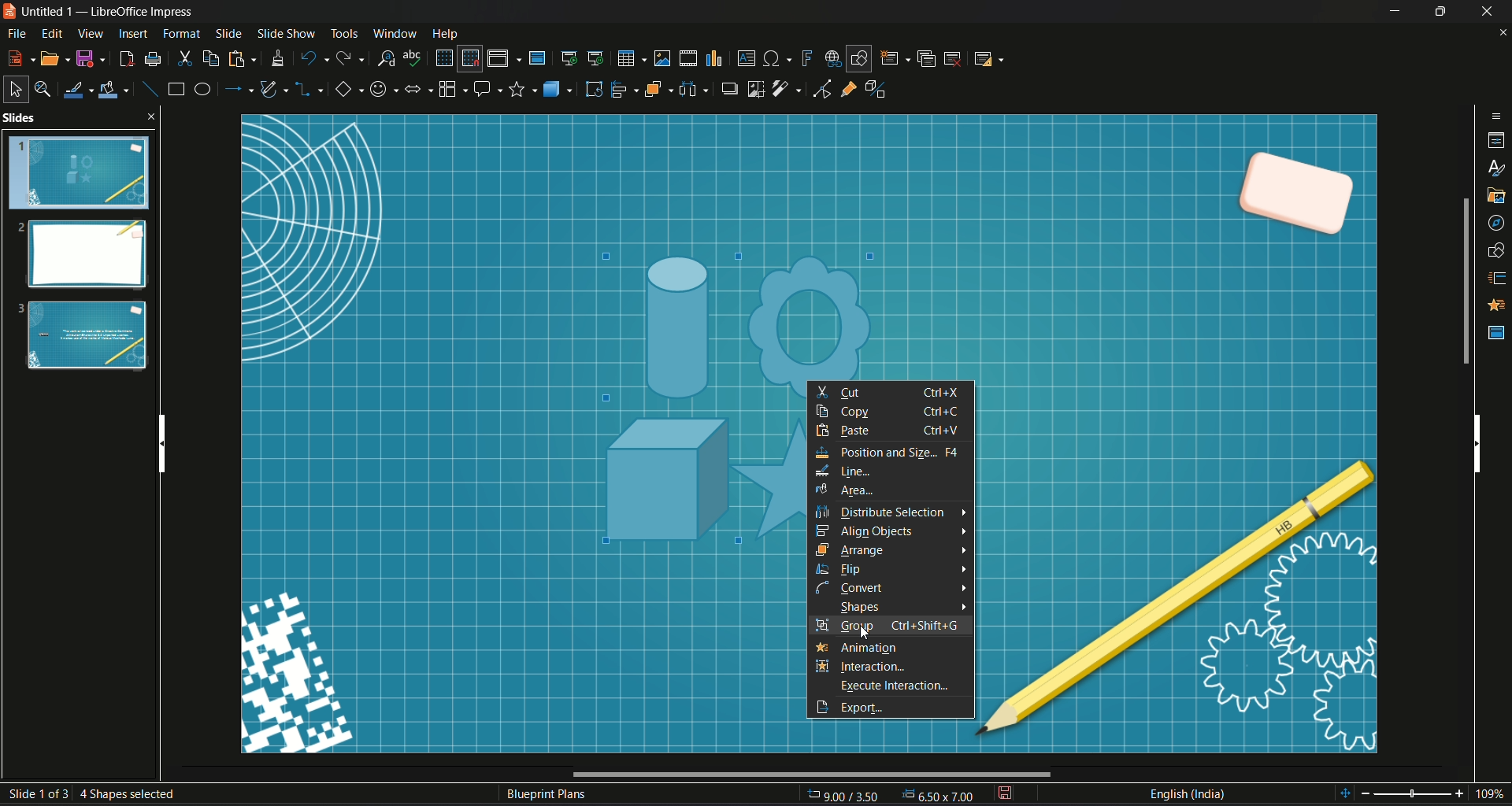 The height and width of the screenshot is (806, 1512). Describe the element at coordinates (745, 57) in the screenshot. I see `insert textbox` at that location.